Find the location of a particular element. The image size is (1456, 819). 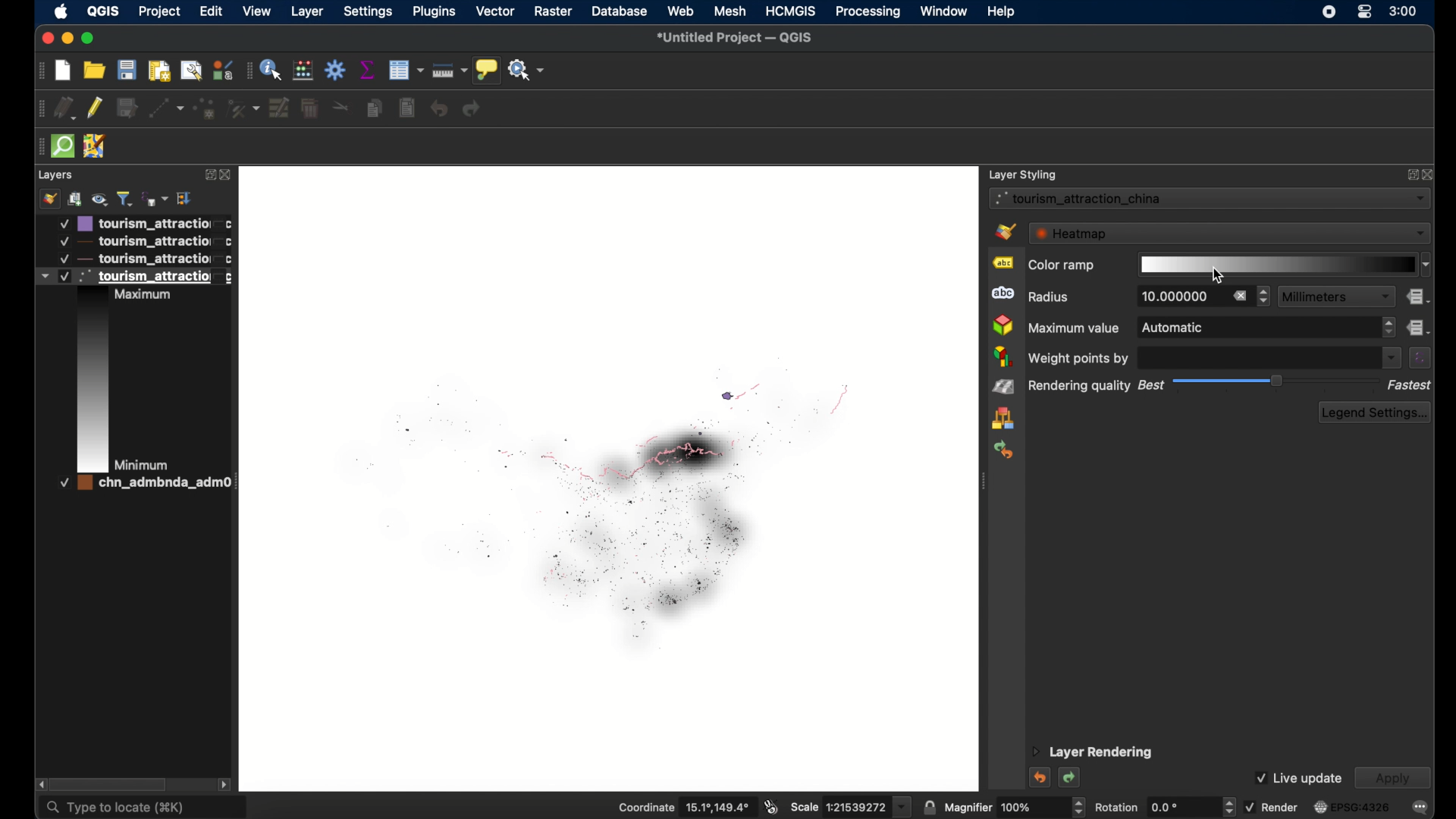

control center is located at coordinates (1364, 11).